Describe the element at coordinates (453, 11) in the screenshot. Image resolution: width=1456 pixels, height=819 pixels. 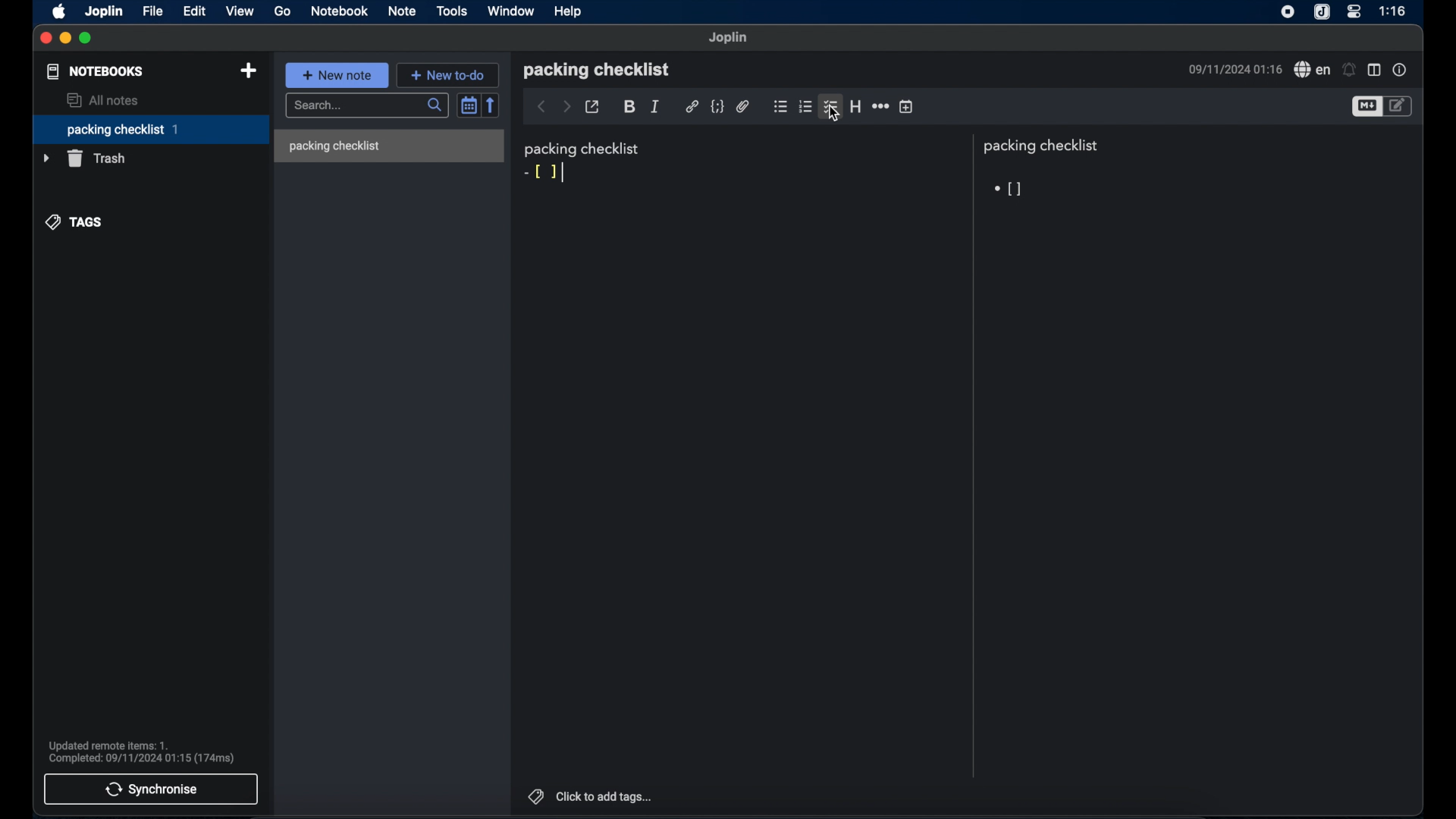
I see `tools` at that location.